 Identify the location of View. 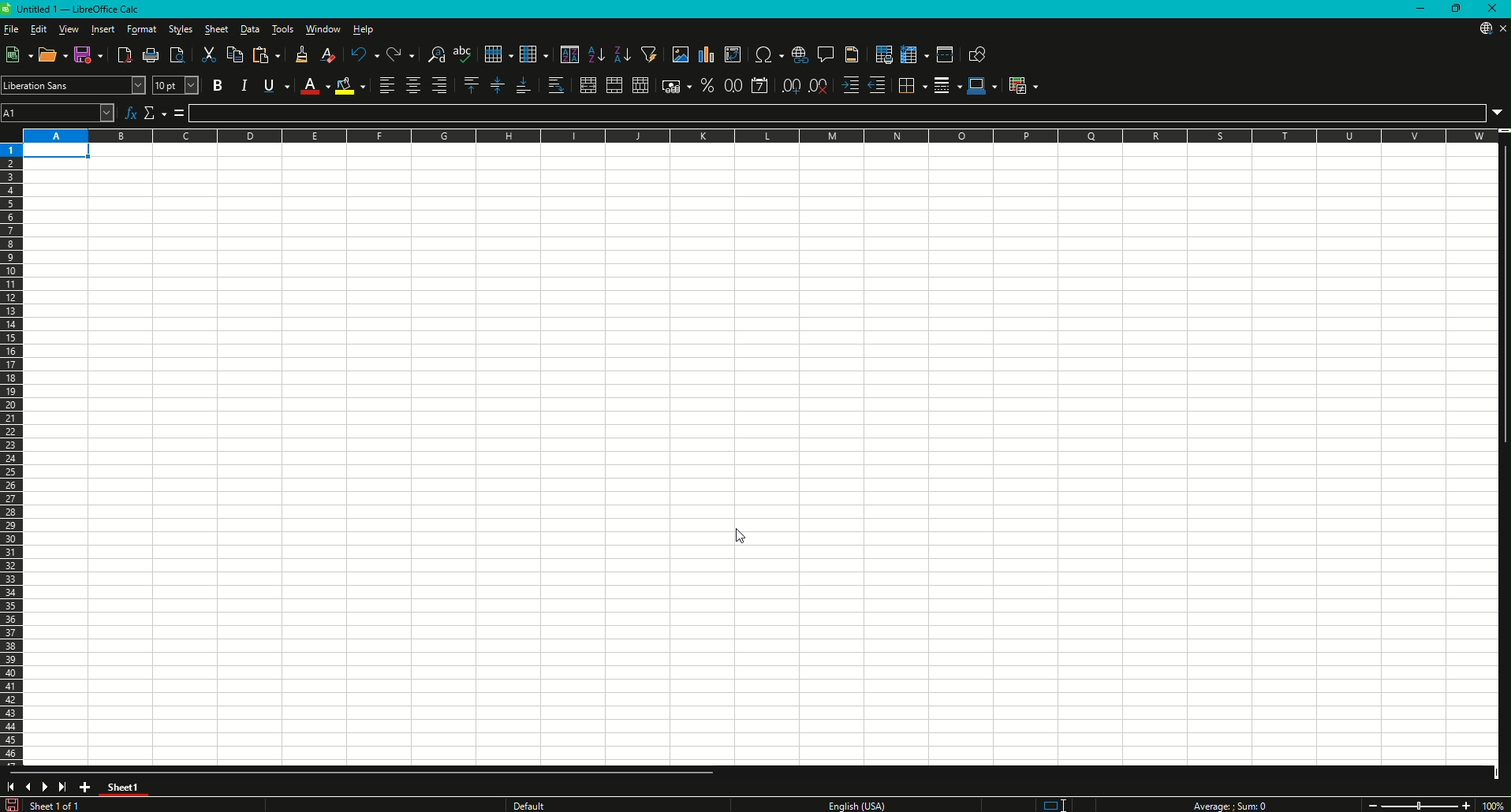
(69, 28).